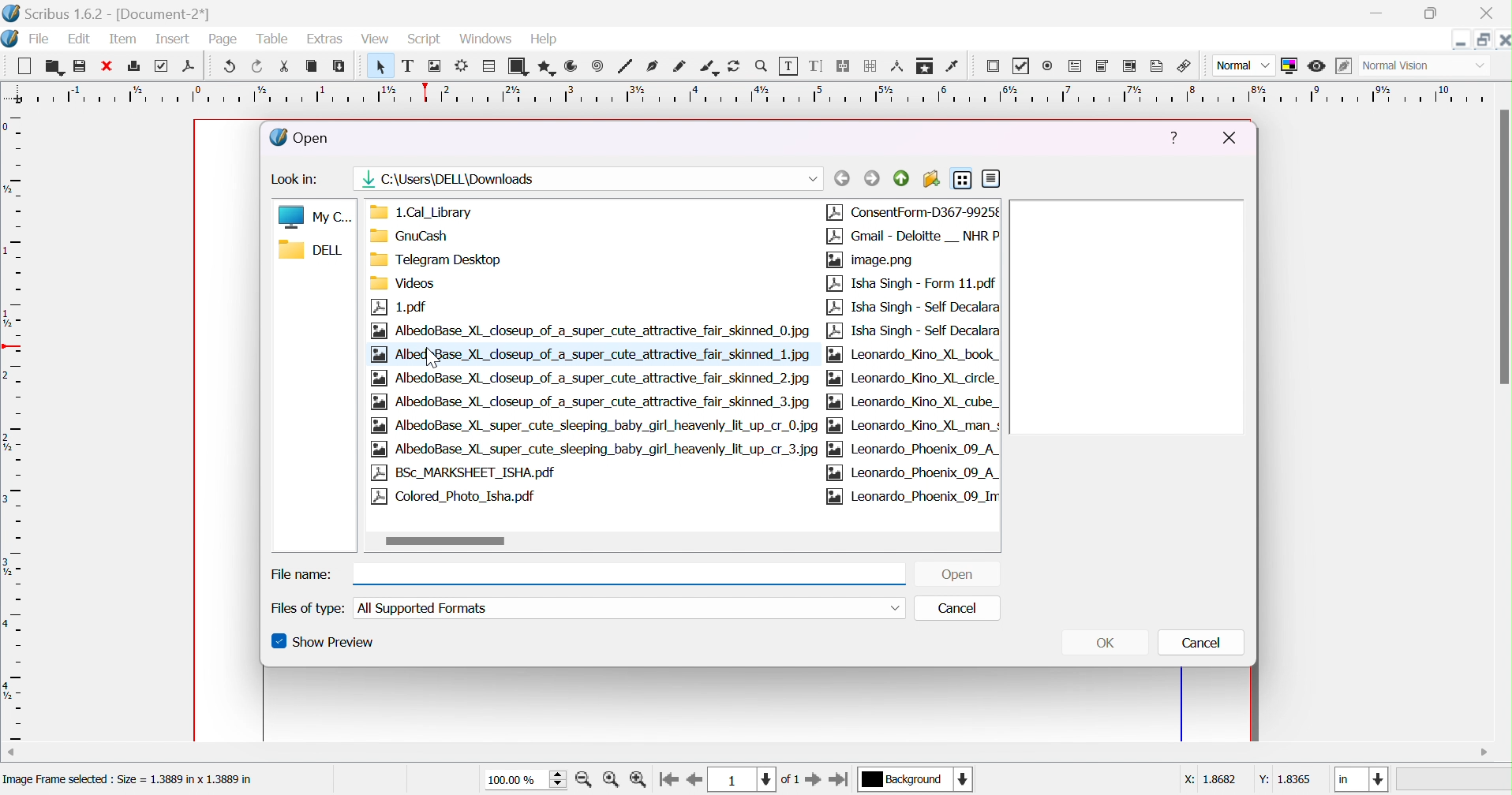 This screenshot has height=795, width=1512. Describe the element at coordinates (309, 248) in the screenshot. I see `DELL` at that location.